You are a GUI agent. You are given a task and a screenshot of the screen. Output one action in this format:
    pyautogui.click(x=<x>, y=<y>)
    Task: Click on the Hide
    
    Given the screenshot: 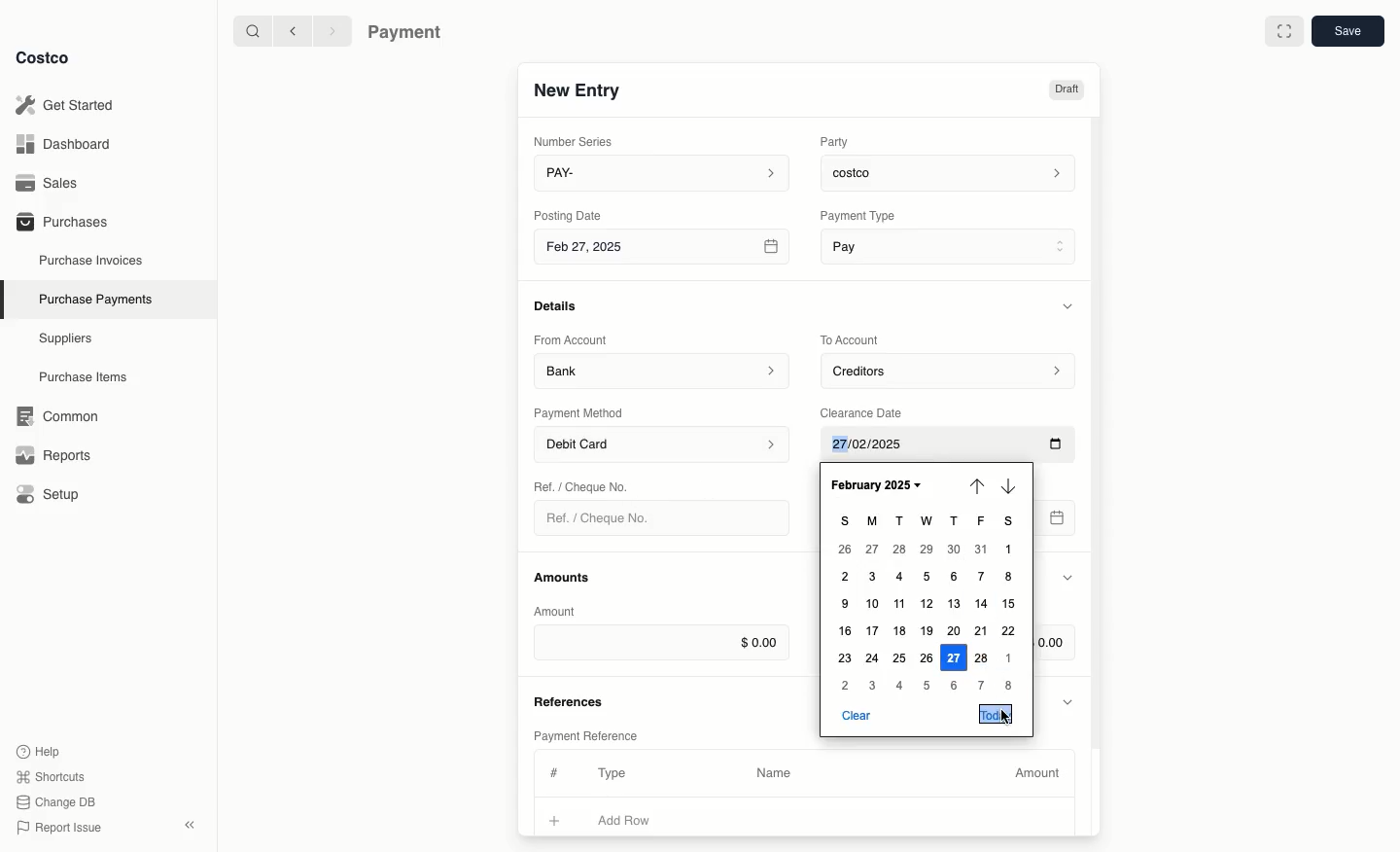 What is the action you would take?
    pyautogui.click(x=1070, y=305)
    